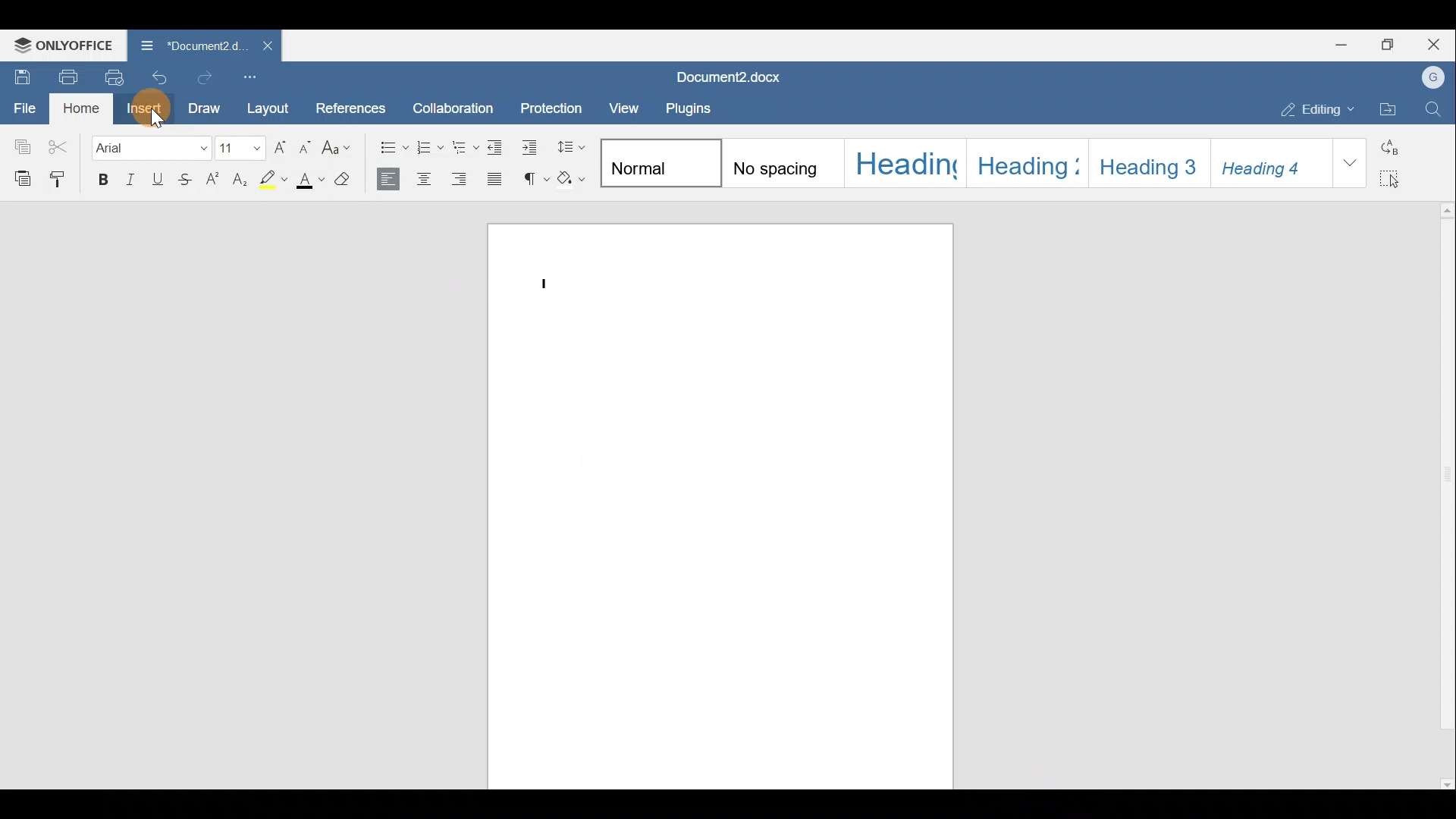 Image resolution: width=1456 pixels, height=819 pixels. What do you see at coordinates (1346, 166) in the screenshot?
I see `More` at bounding box center [1346, 166].